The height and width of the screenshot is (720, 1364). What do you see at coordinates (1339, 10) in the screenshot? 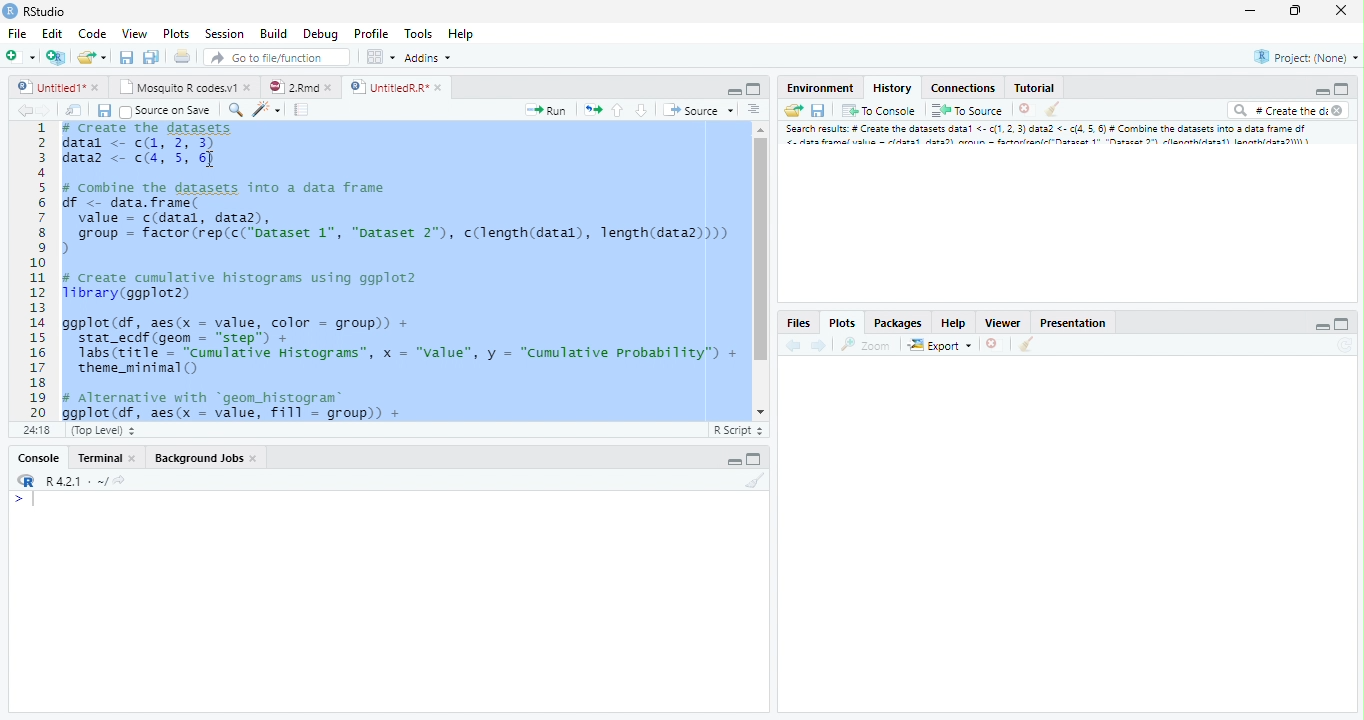
I see `Close` at bounding box center [1339, 10].